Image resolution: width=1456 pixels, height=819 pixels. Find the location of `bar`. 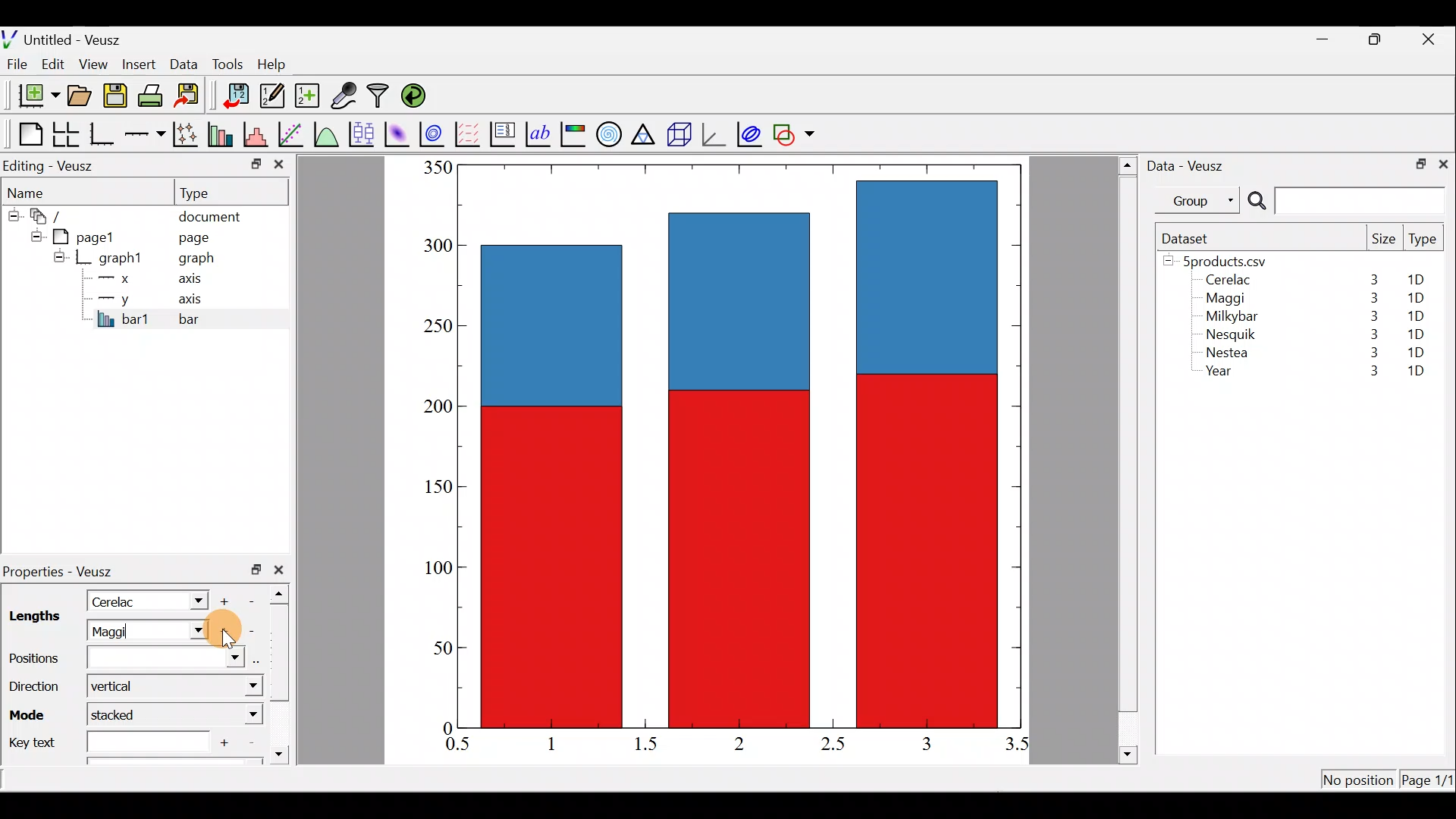

bar is located at coordinates (214, 318).